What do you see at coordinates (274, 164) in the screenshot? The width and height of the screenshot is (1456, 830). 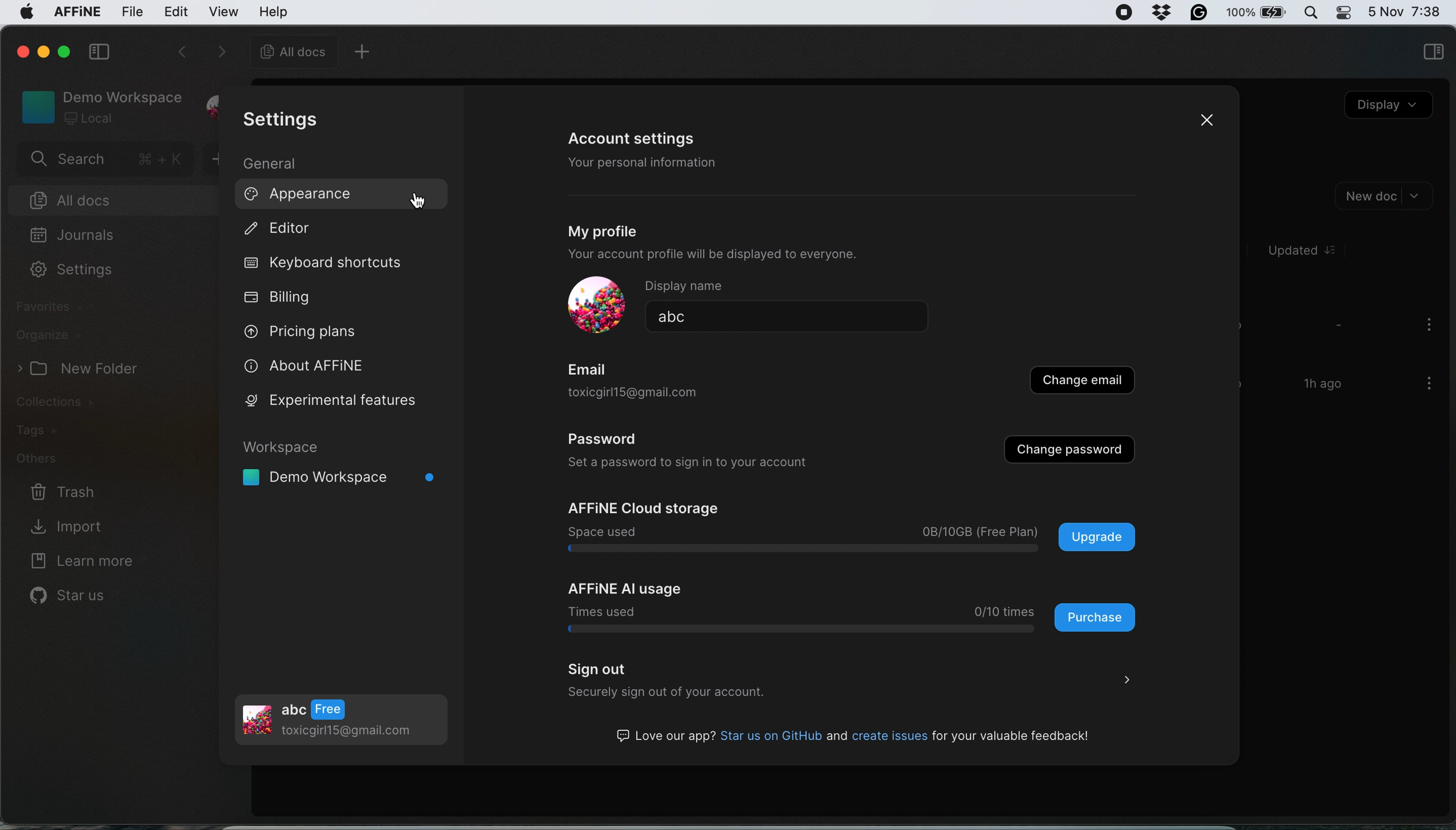 I see `general` at bounding box center [274, 164].